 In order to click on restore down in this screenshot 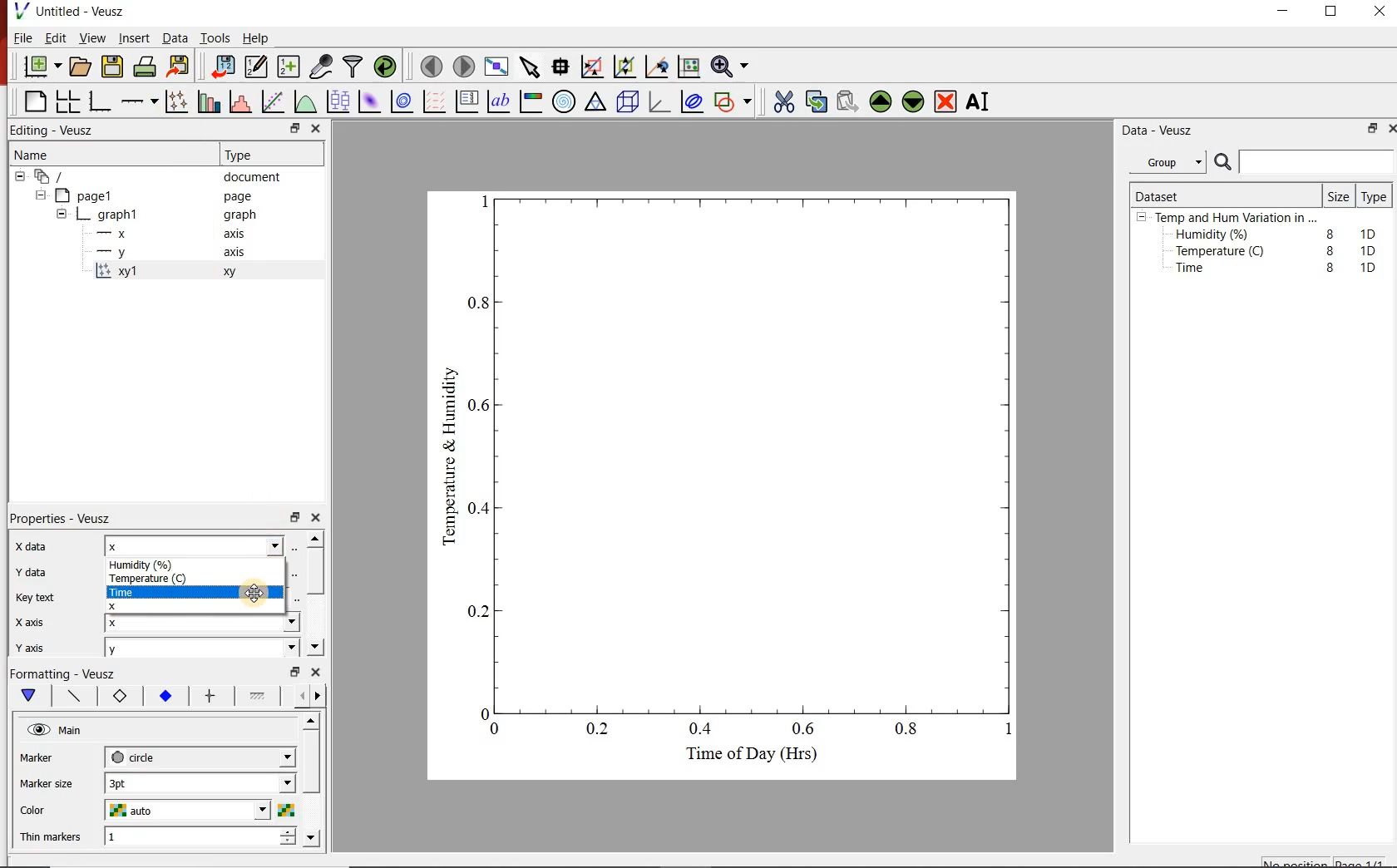, I will do `click(284, 128)`.